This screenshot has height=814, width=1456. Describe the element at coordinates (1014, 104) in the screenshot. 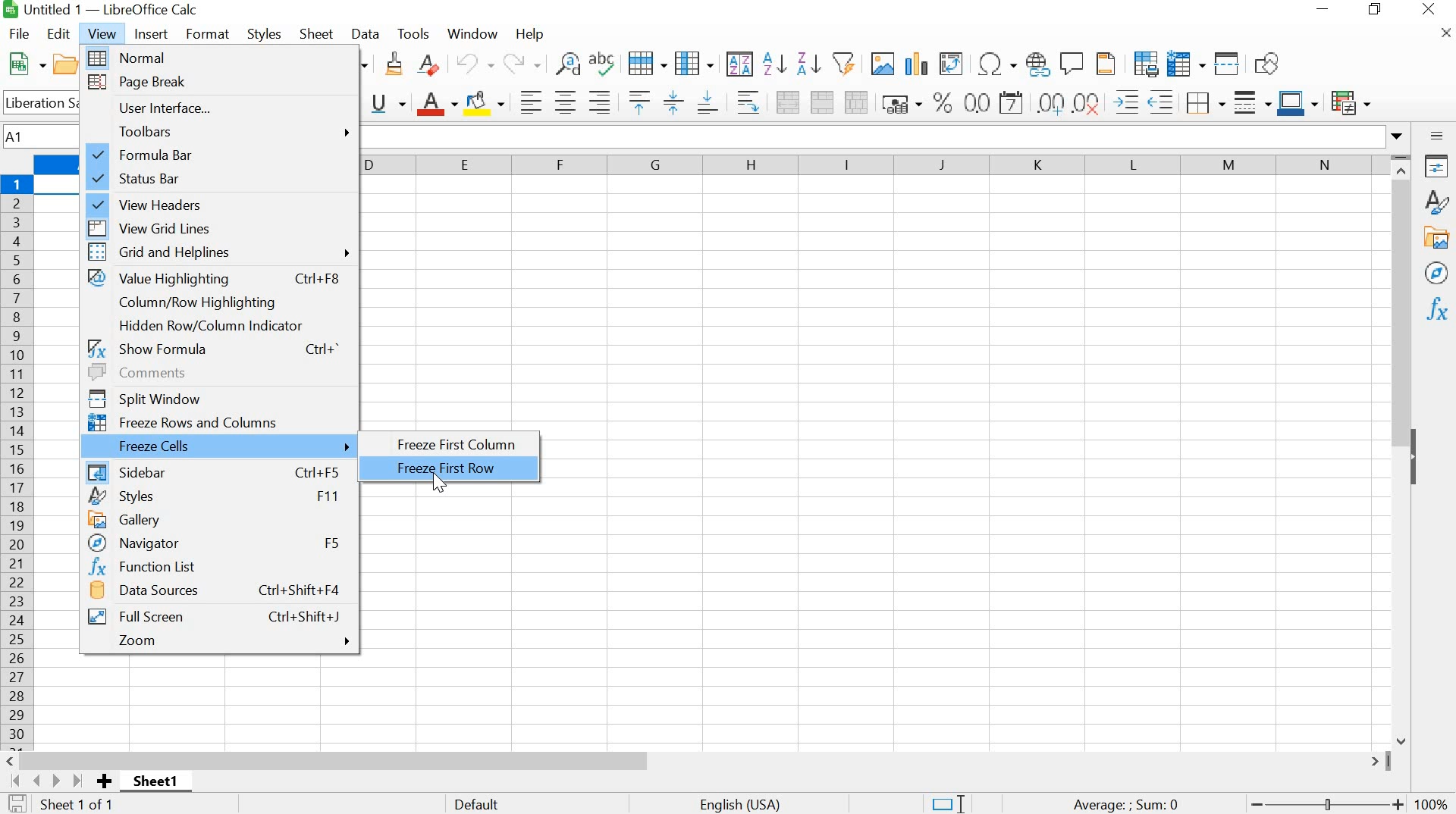

I see `FORMAT AS DATE` at that location.